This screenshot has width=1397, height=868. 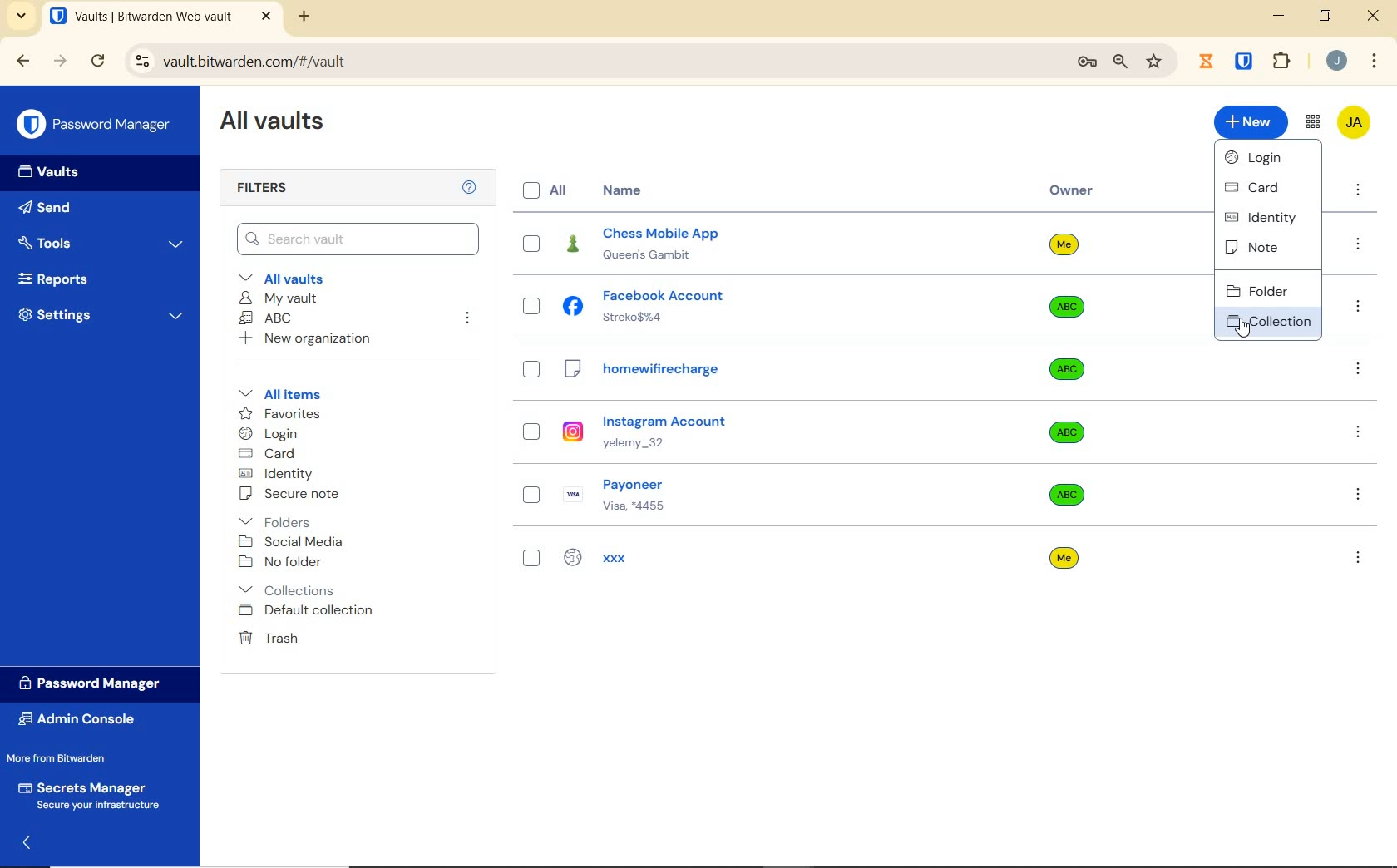 I want to click on Reports, so click(x=63, y=278).